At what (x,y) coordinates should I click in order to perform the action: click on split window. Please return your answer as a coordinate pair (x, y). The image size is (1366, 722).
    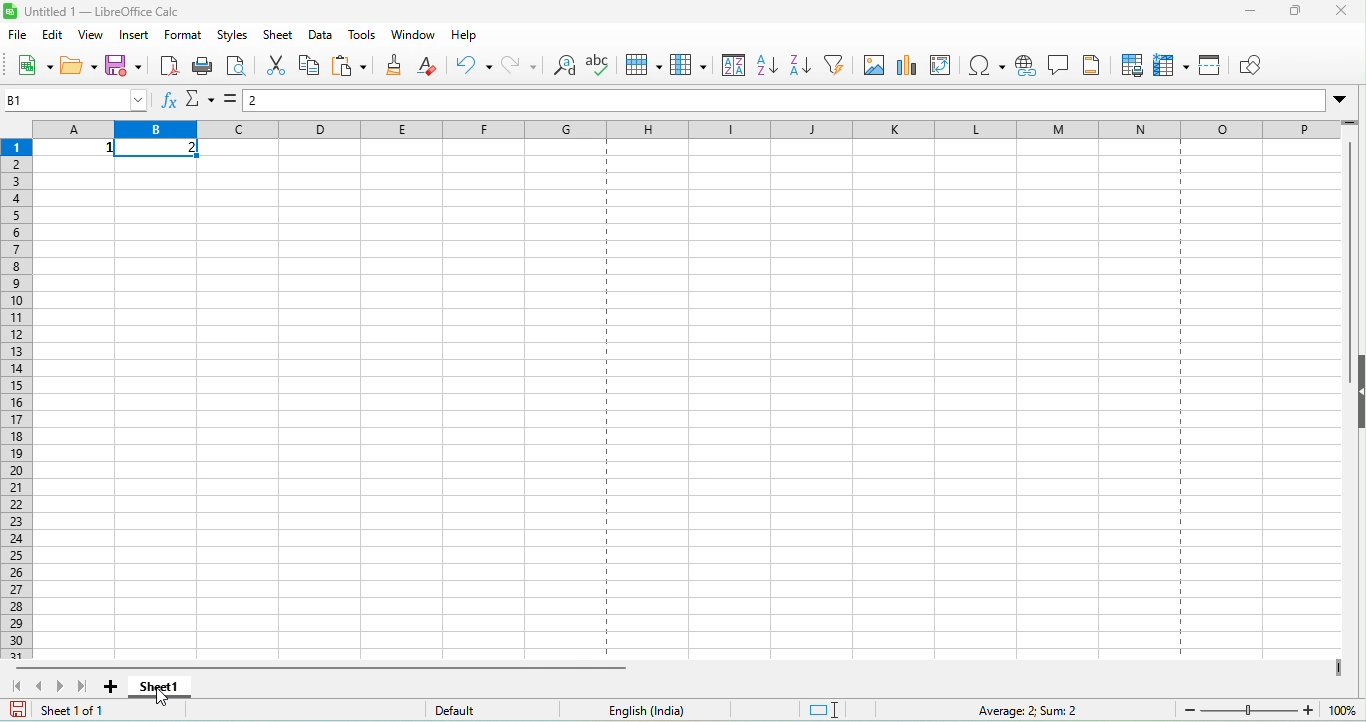
    Looking at the image, I should click on (1211, 67).